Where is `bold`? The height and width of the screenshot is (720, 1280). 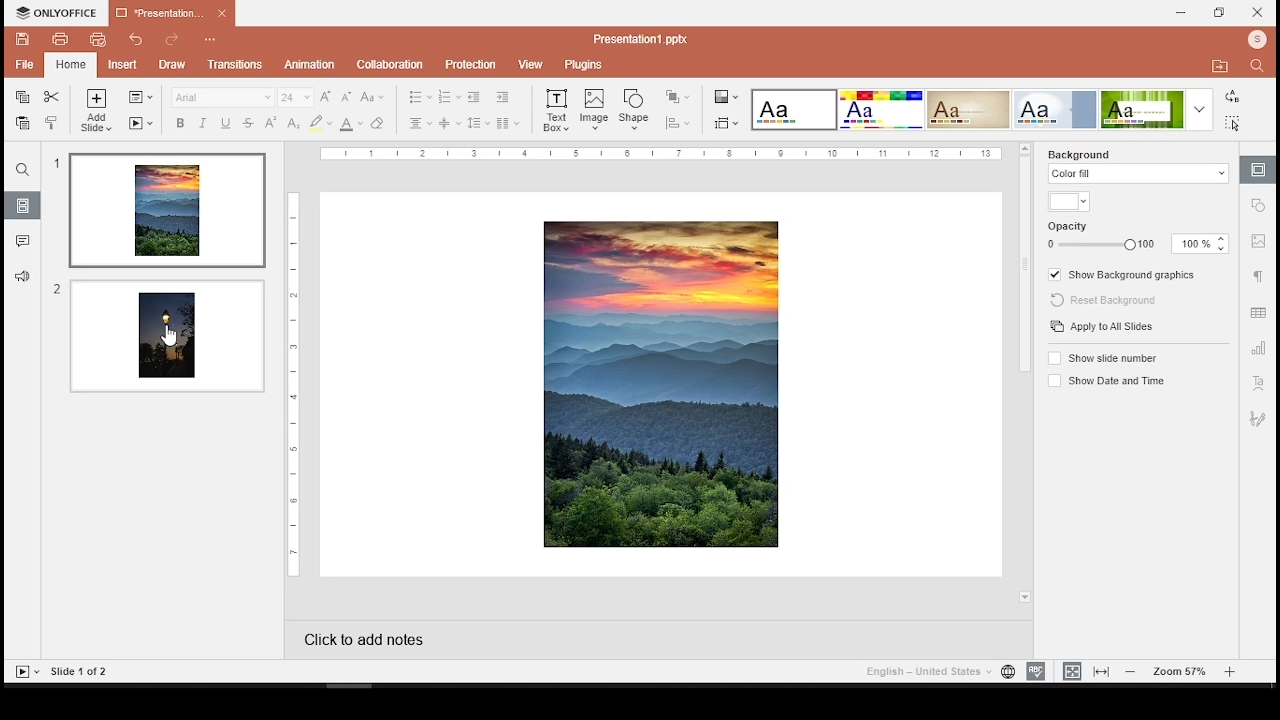
bold is located at coordinates (180, 123).